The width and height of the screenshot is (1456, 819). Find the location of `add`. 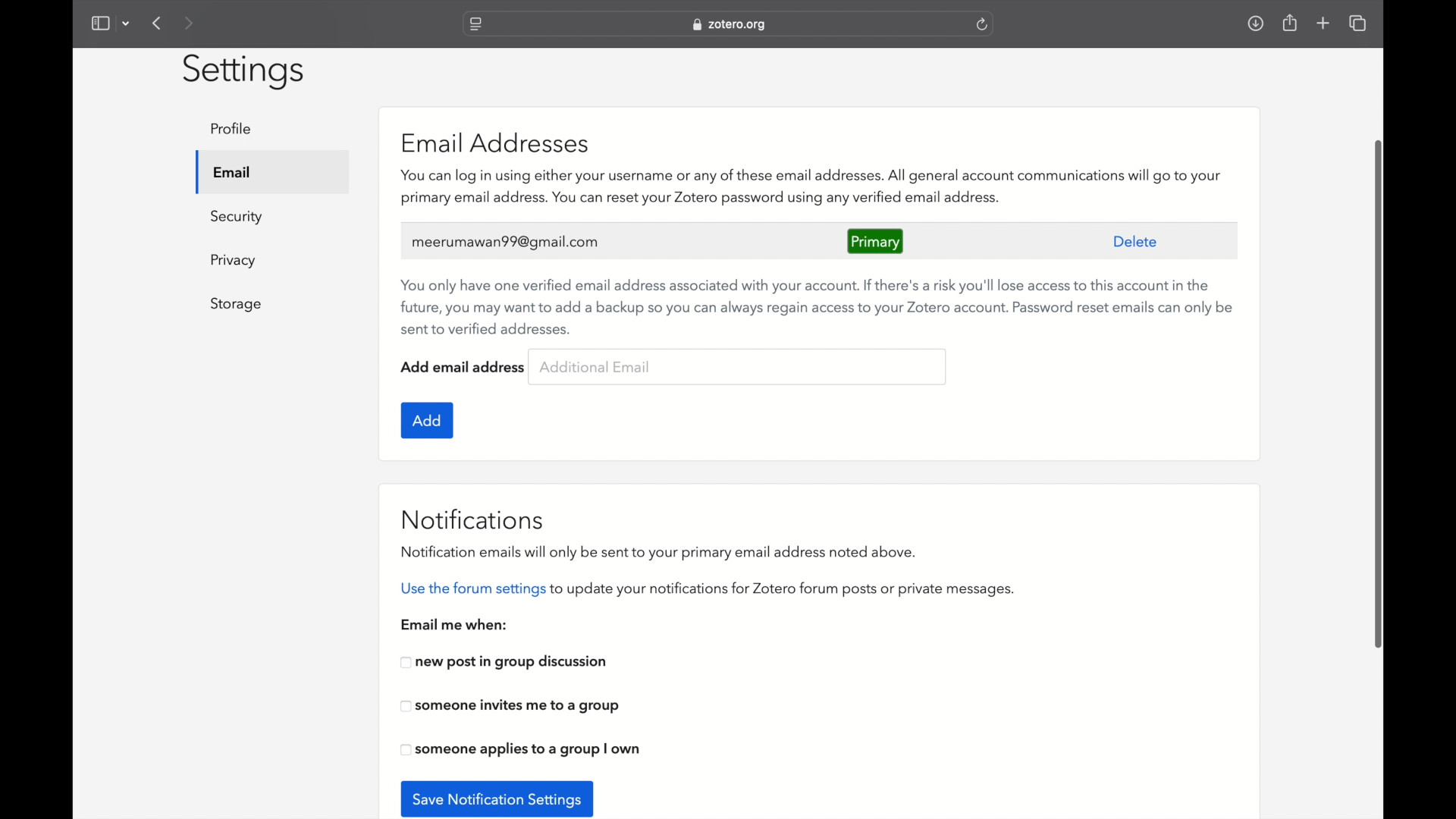

add is located at coordinates (428, 420).